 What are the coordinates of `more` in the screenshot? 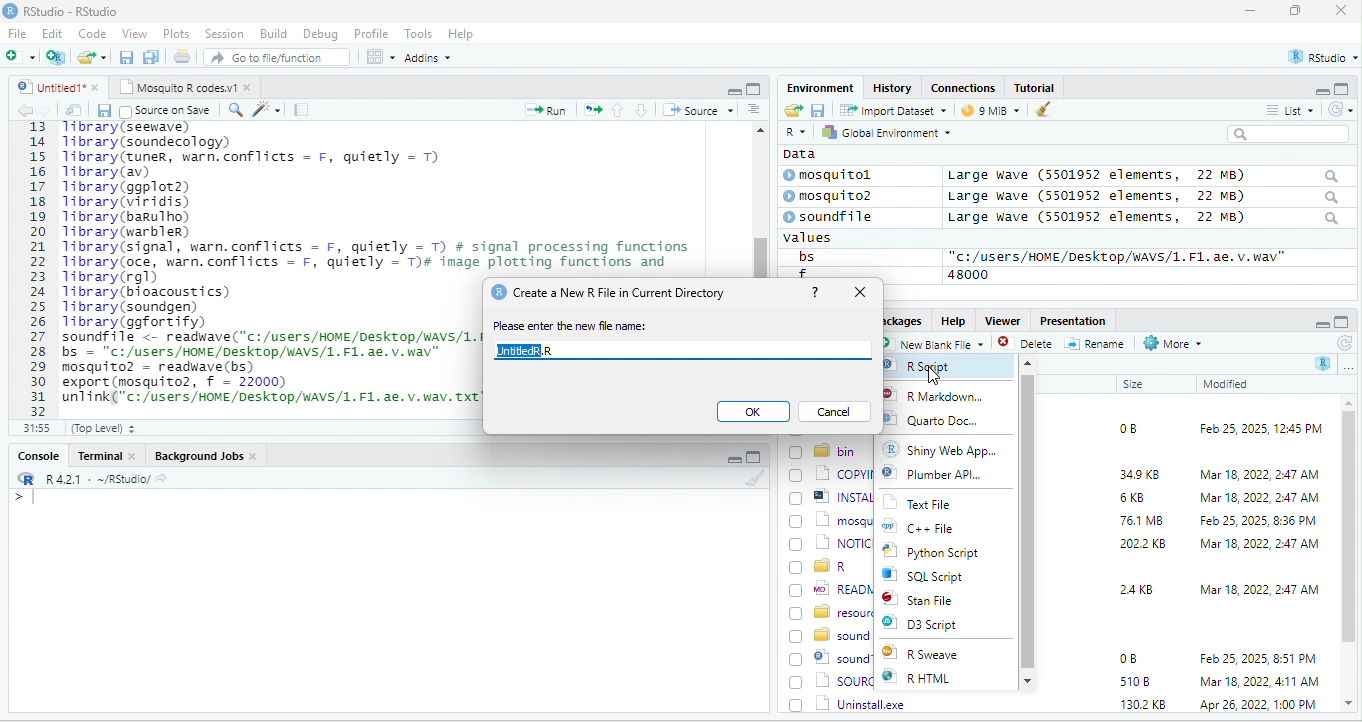 It's located at (1348, 366).